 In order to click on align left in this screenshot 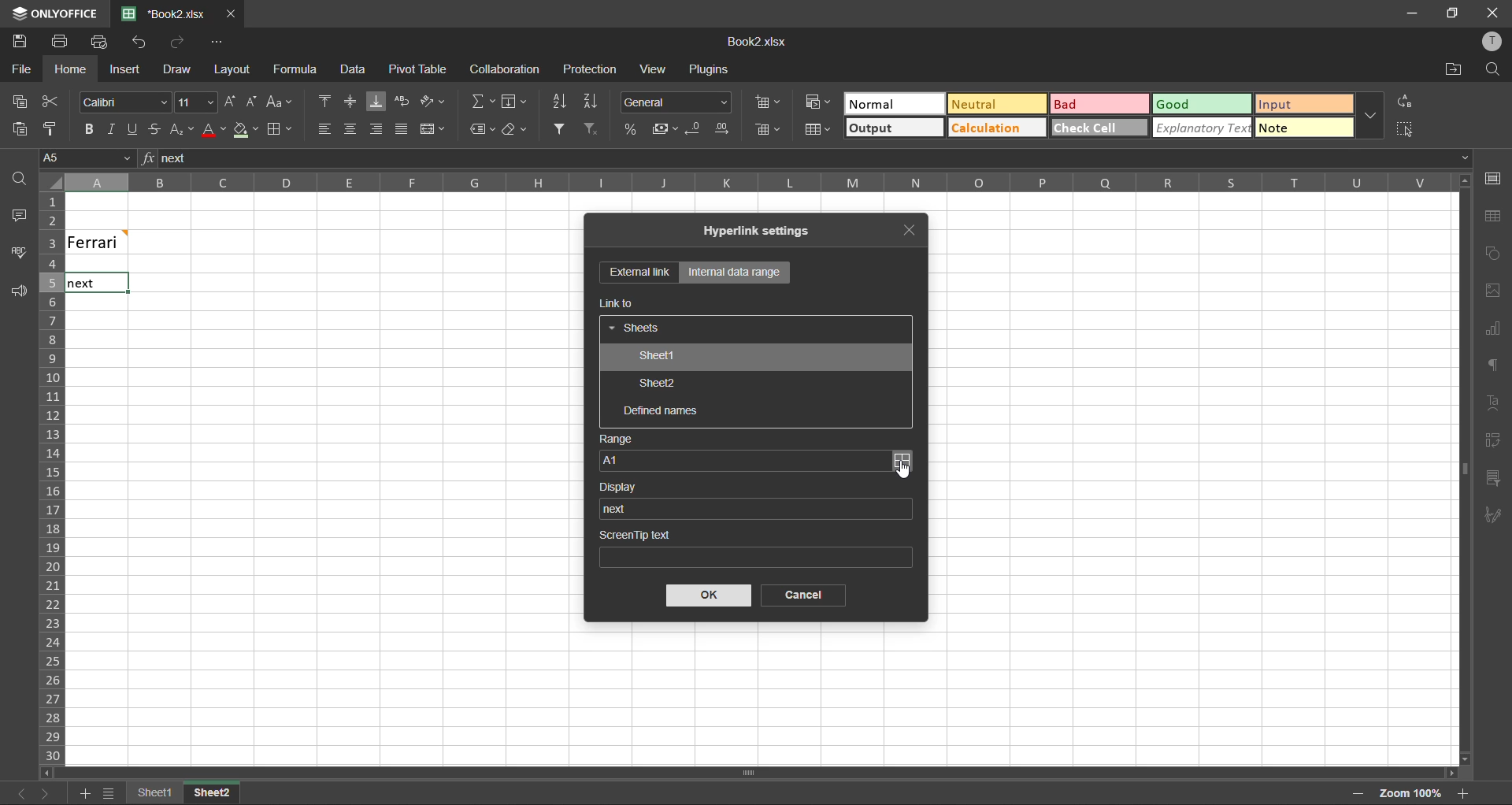, I will do `click(324, 127)`.